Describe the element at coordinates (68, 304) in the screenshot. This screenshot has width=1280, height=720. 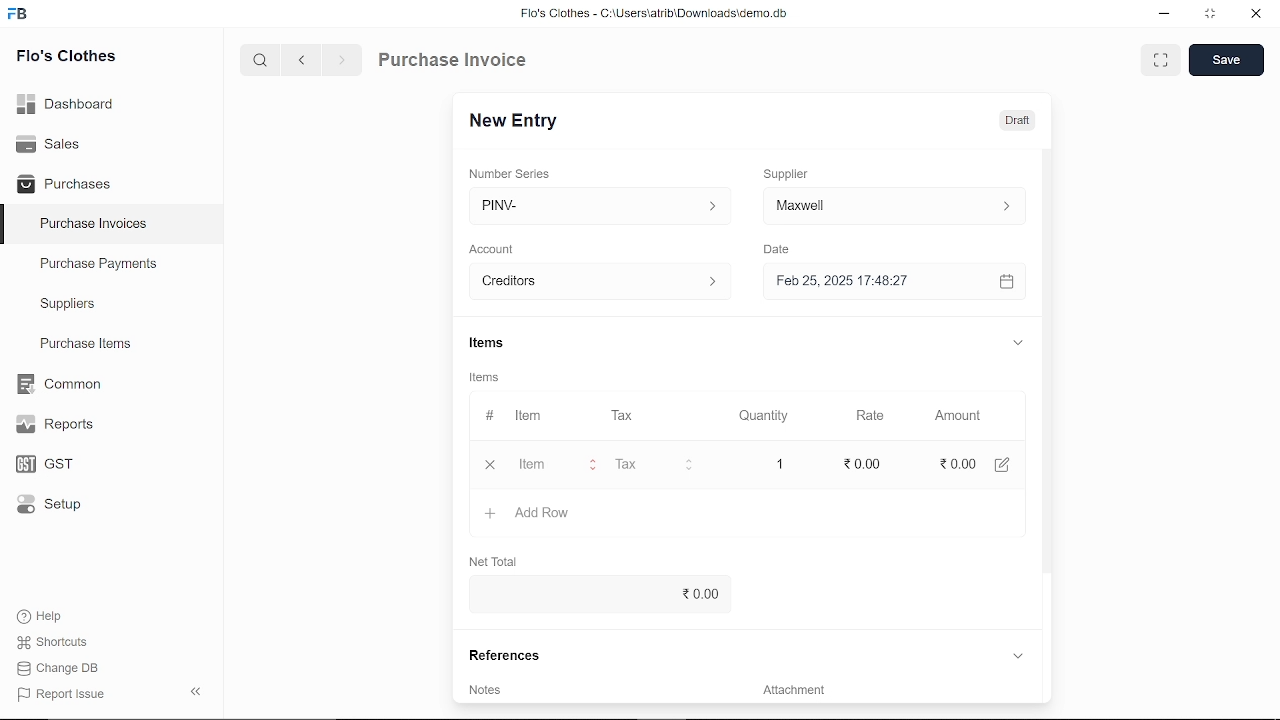
I see `Suppliers` at that location.